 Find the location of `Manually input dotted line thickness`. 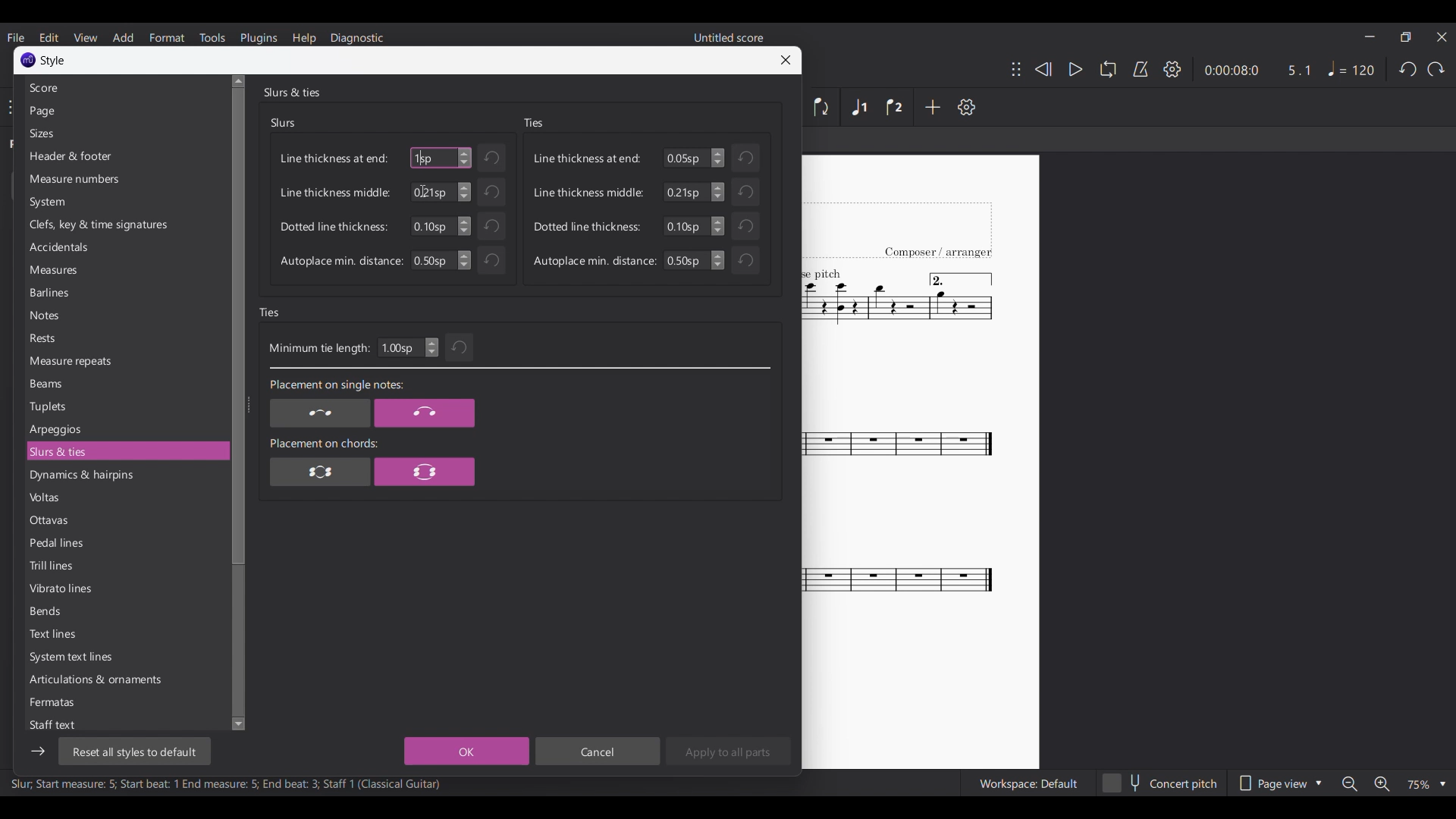

Manually input dotted line thickness is located at coordinates (431, 226).